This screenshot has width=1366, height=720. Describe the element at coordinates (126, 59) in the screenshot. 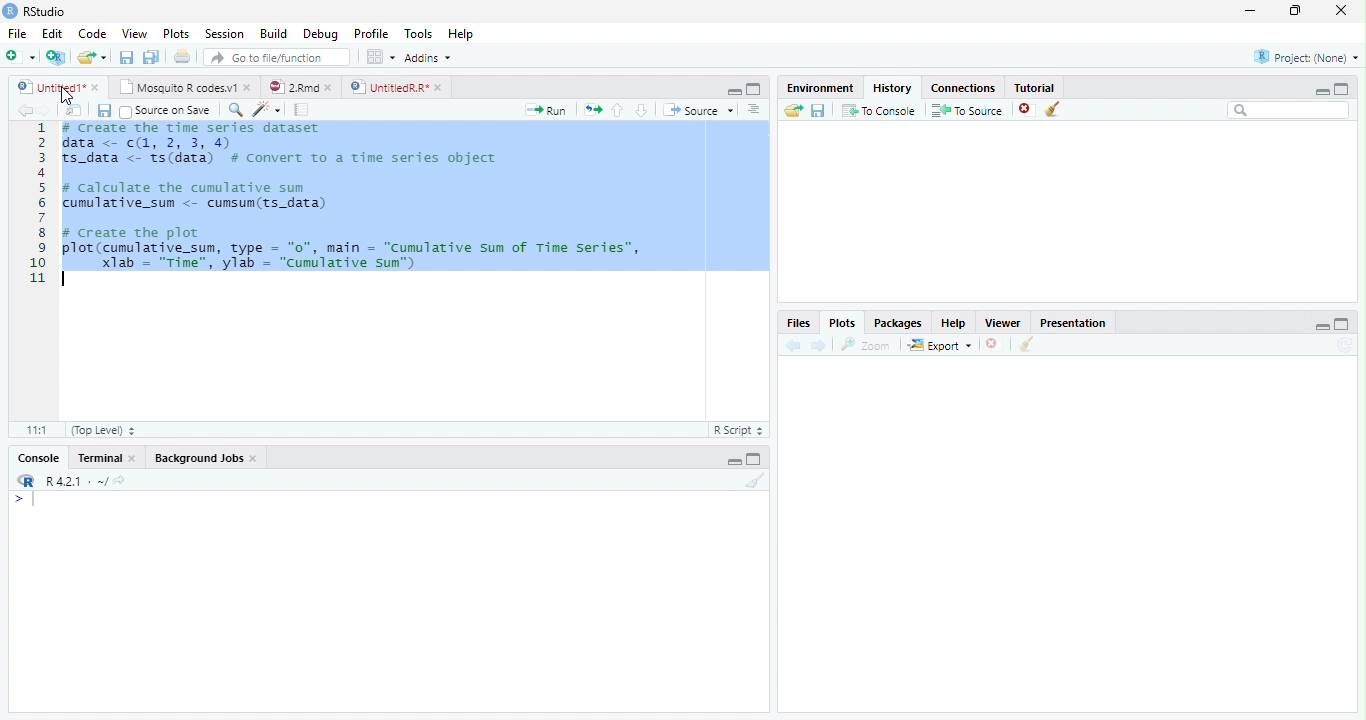

I see `Save` at that location.